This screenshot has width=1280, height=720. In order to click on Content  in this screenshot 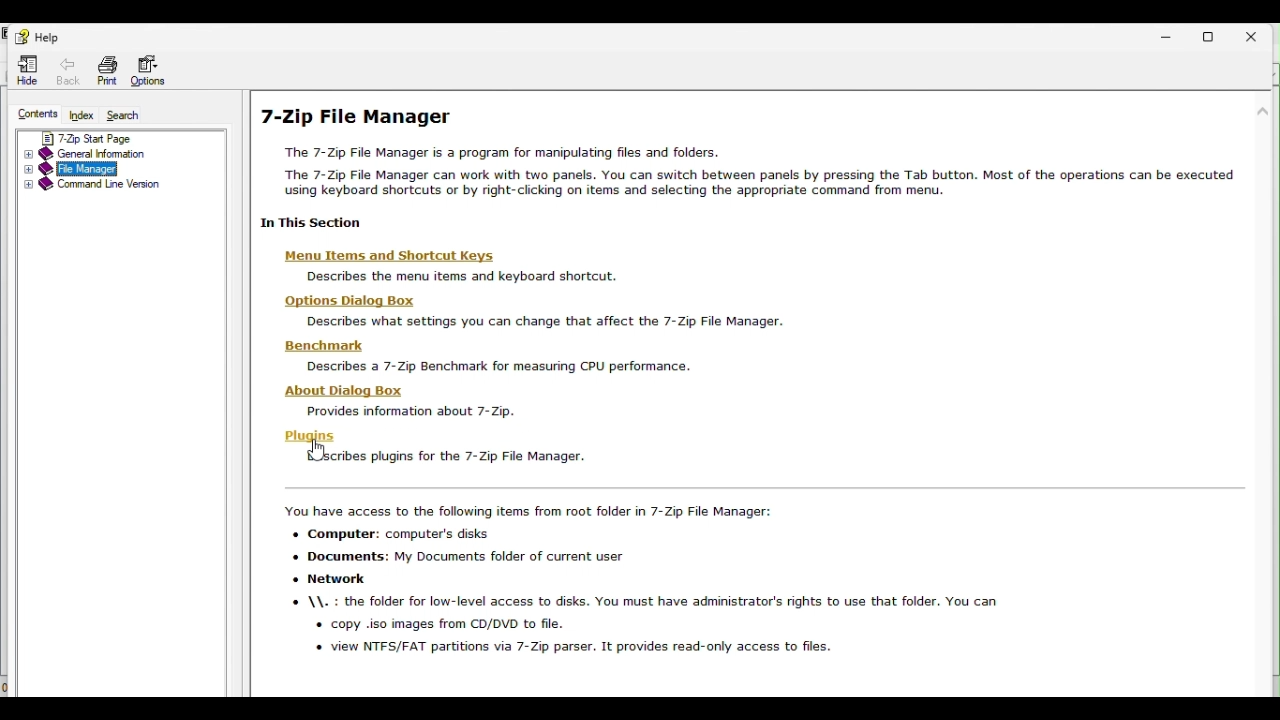, I will do `click(36, 112)`.